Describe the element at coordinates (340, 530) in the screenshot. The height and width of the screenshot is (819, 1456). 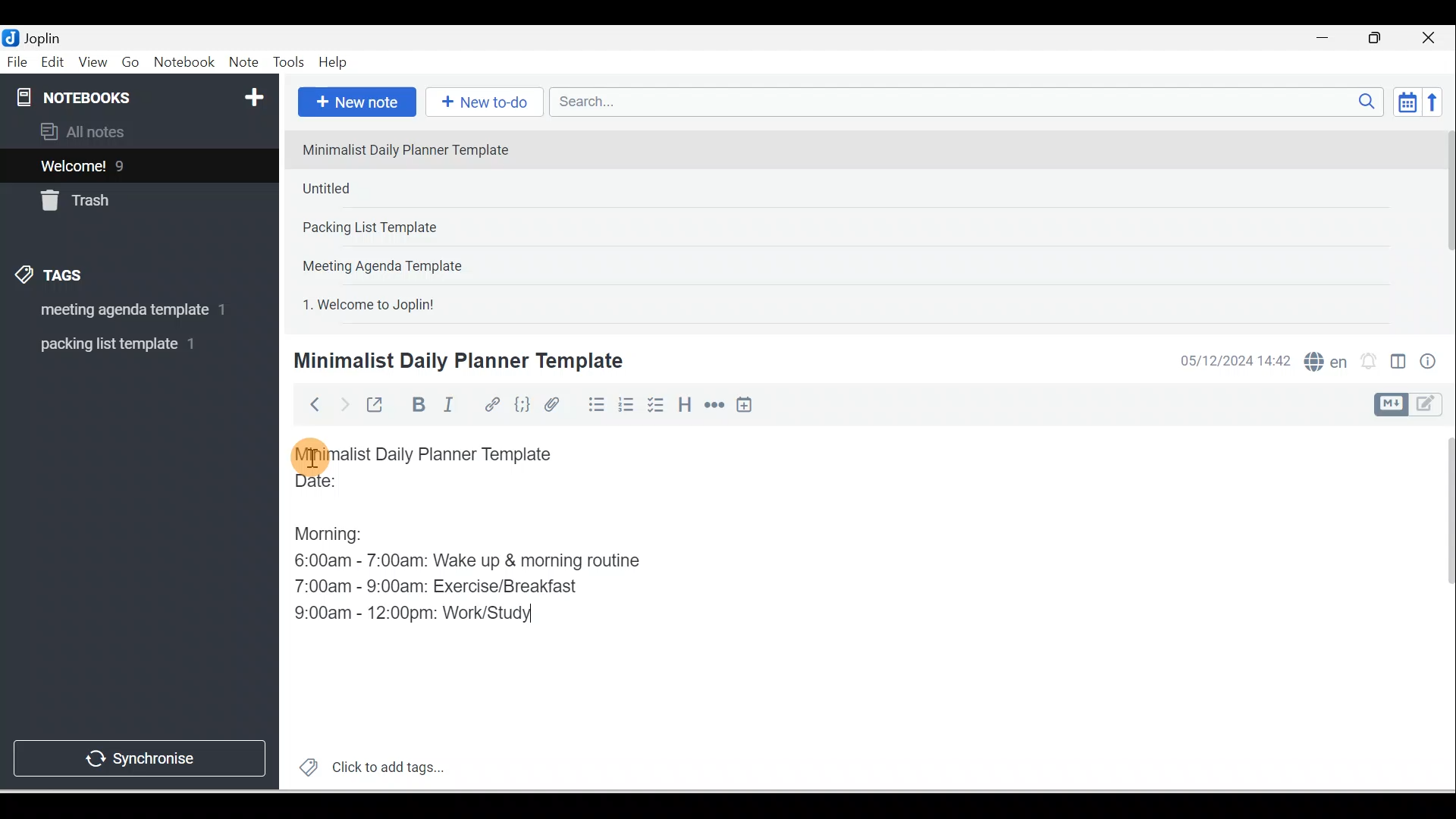
I see `Morning:` at that location.